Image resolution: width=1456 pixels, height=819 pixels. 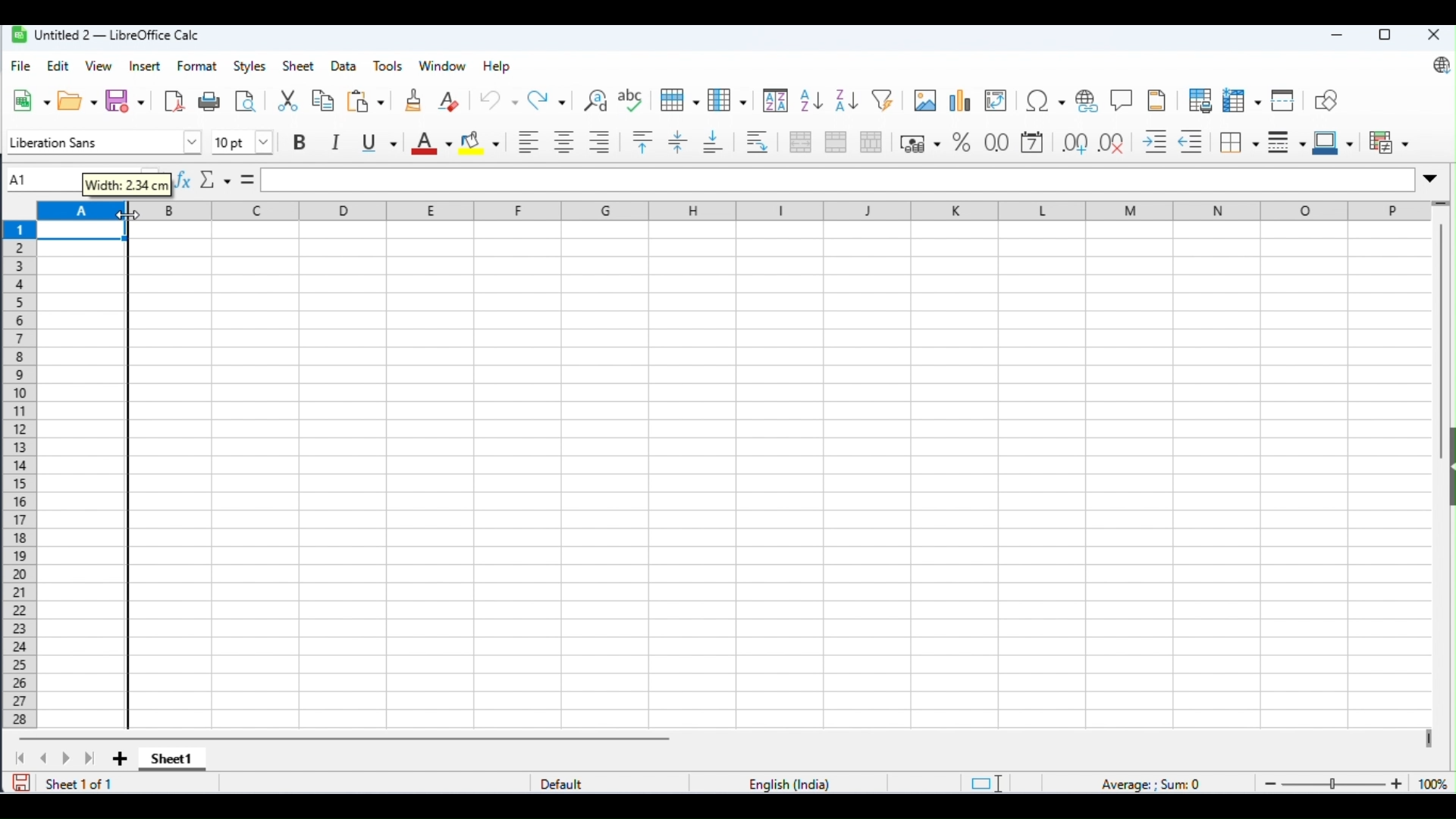 I want to click on decrease indent, so click(x=1195, y=142).